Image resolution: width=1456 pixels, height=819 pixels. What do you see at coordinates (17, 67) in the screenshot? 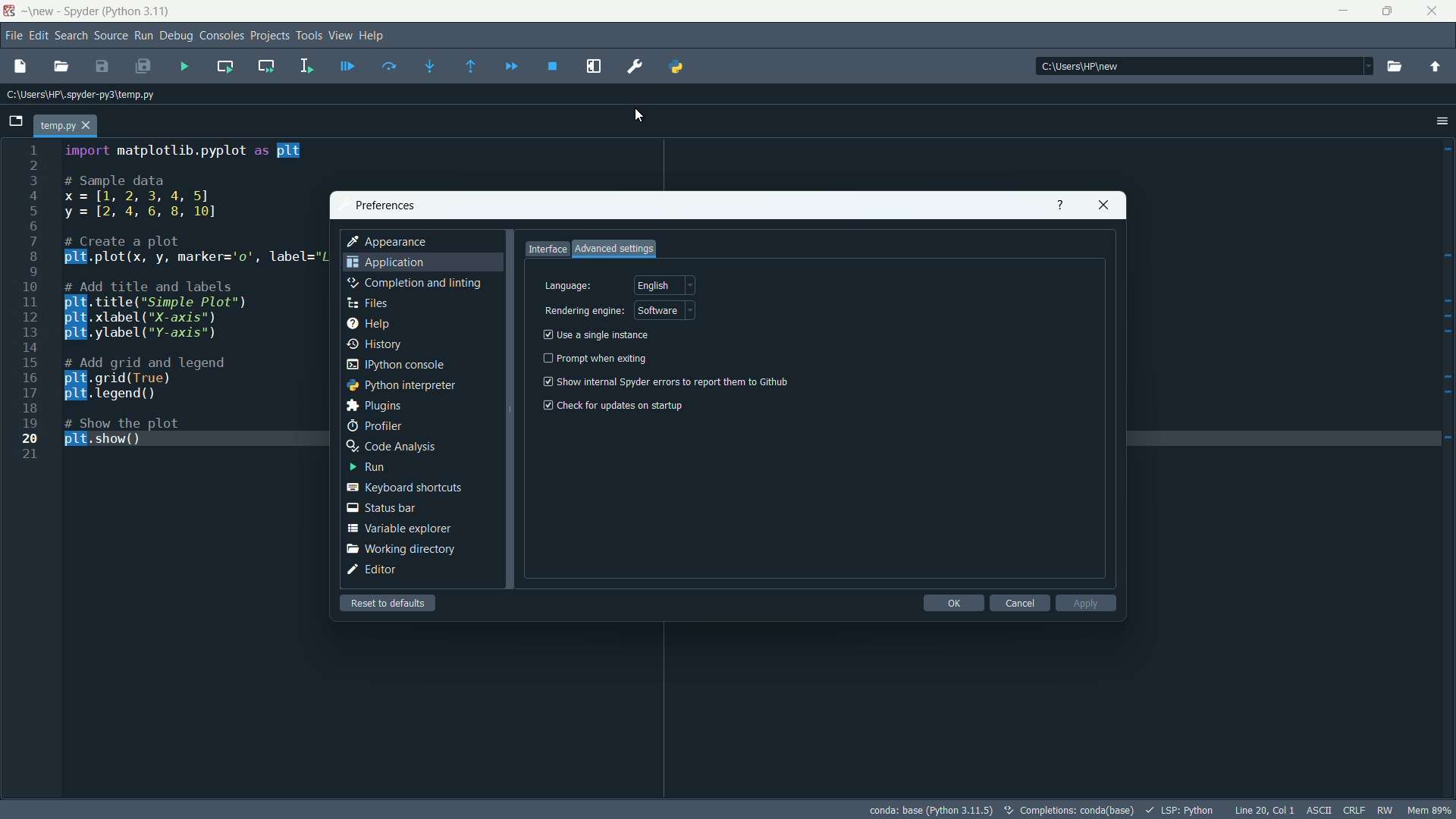
I see `new file` at bounding box center [17, 67].